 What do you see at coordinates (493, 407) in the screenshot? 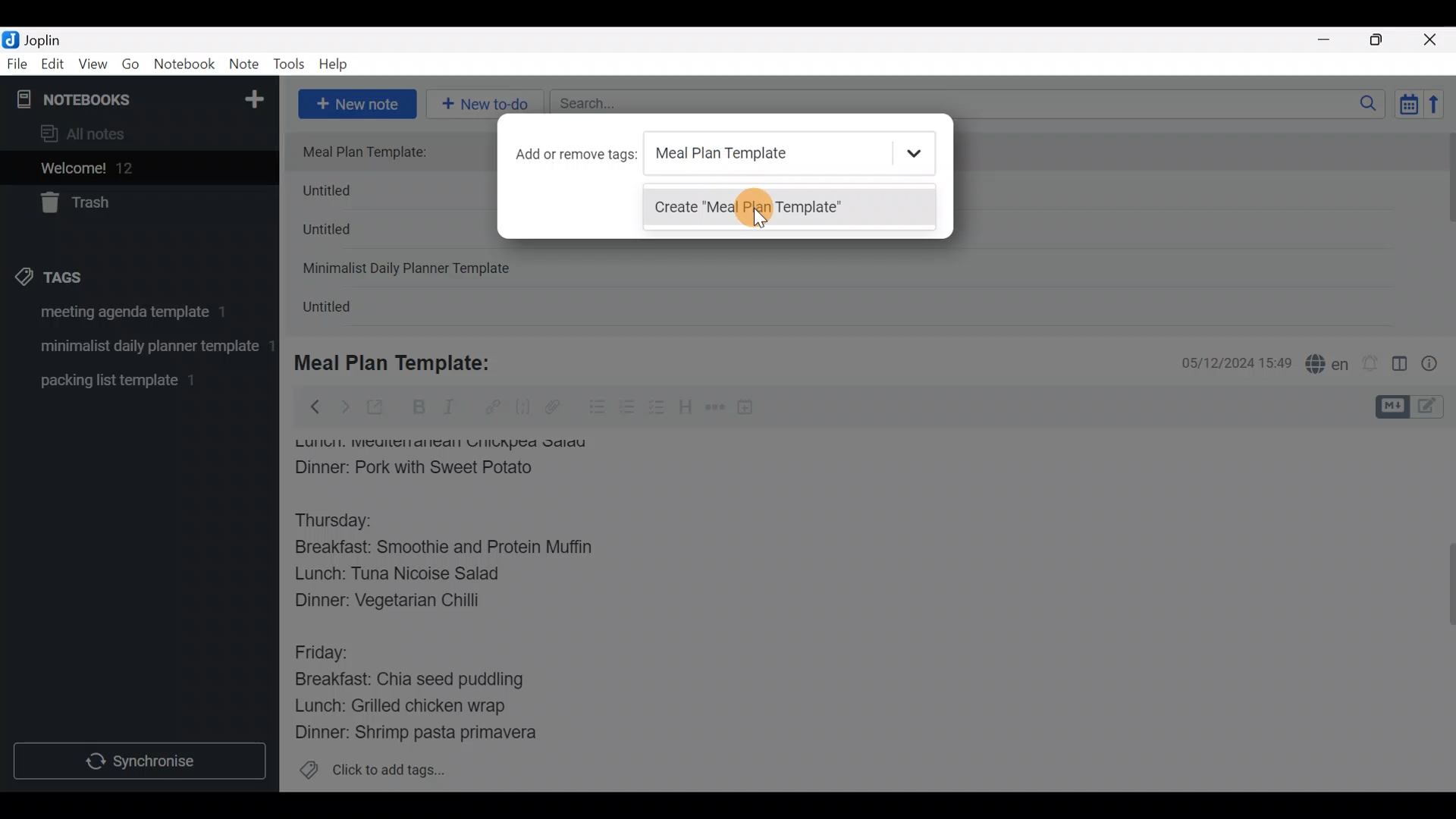
I see `Hyperlink` at bounding box center [493, 407].